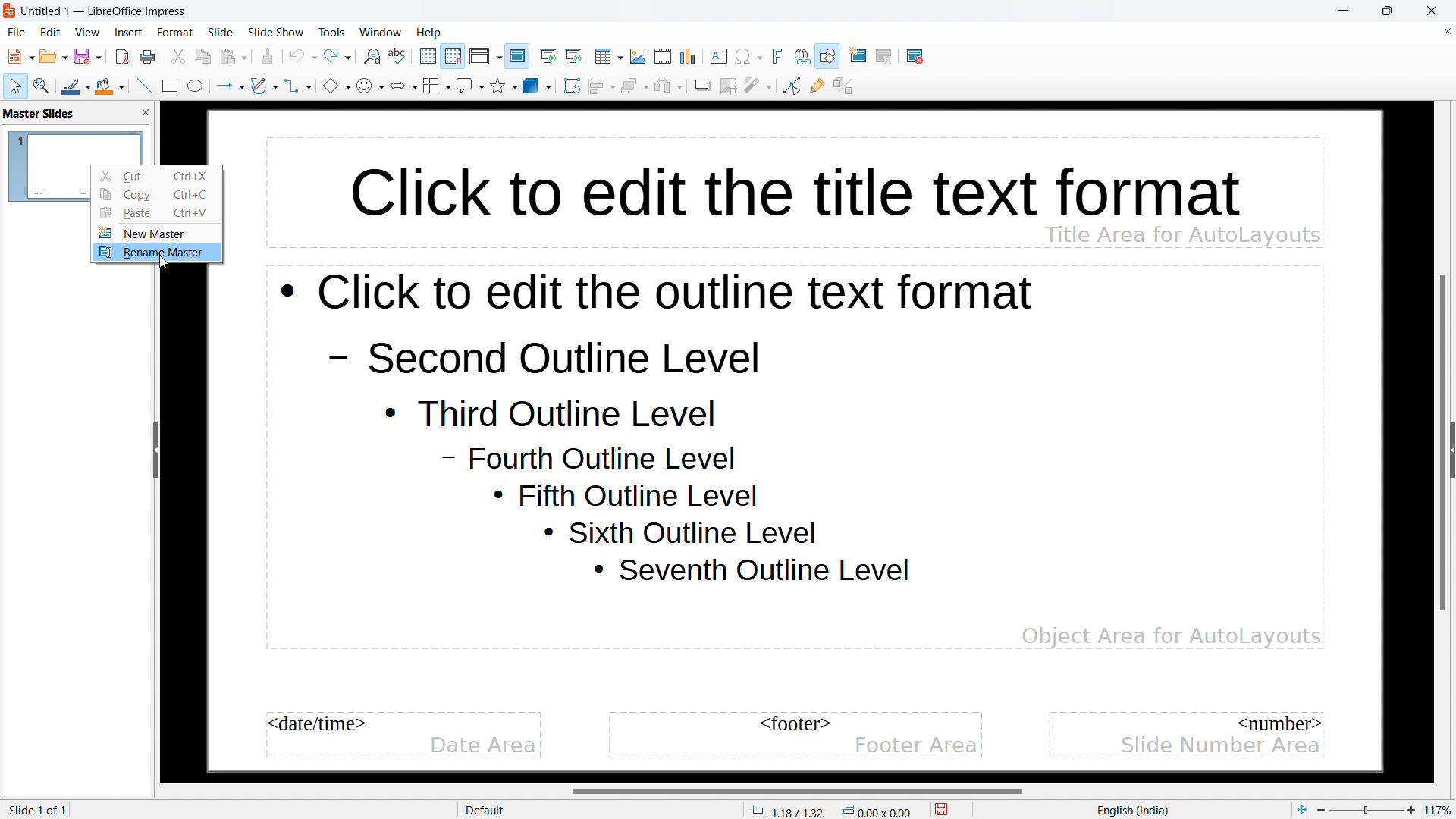 The height and width of the screenshot is (819, 1456). I want to click on show gluepoint functions, so click(817, 86).